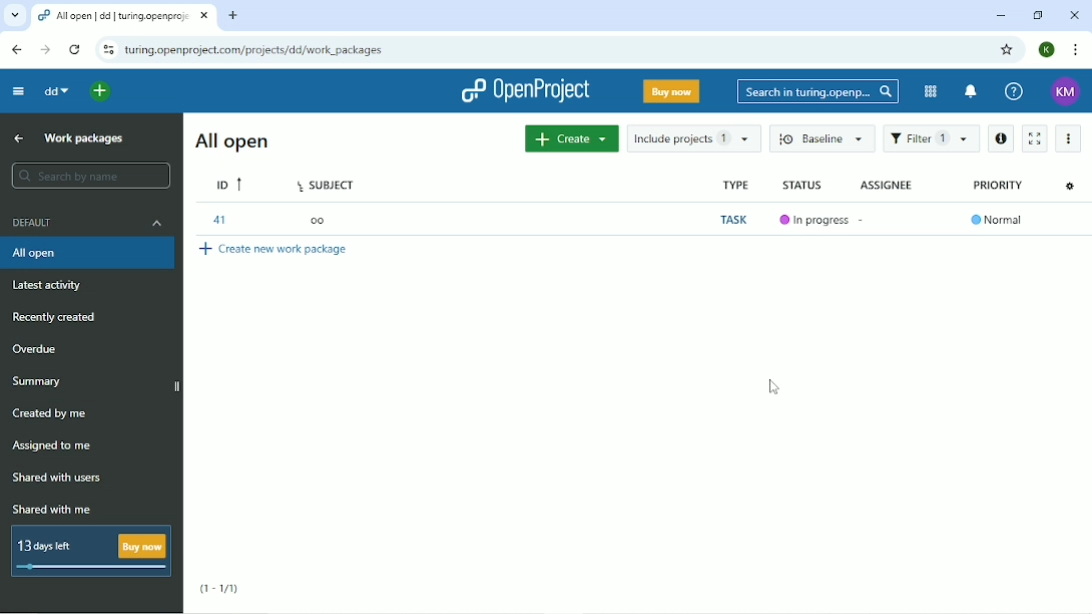  Describe the element at coordinates (220, 589) in the screenshot. I see `(1-1/1)` at that location.